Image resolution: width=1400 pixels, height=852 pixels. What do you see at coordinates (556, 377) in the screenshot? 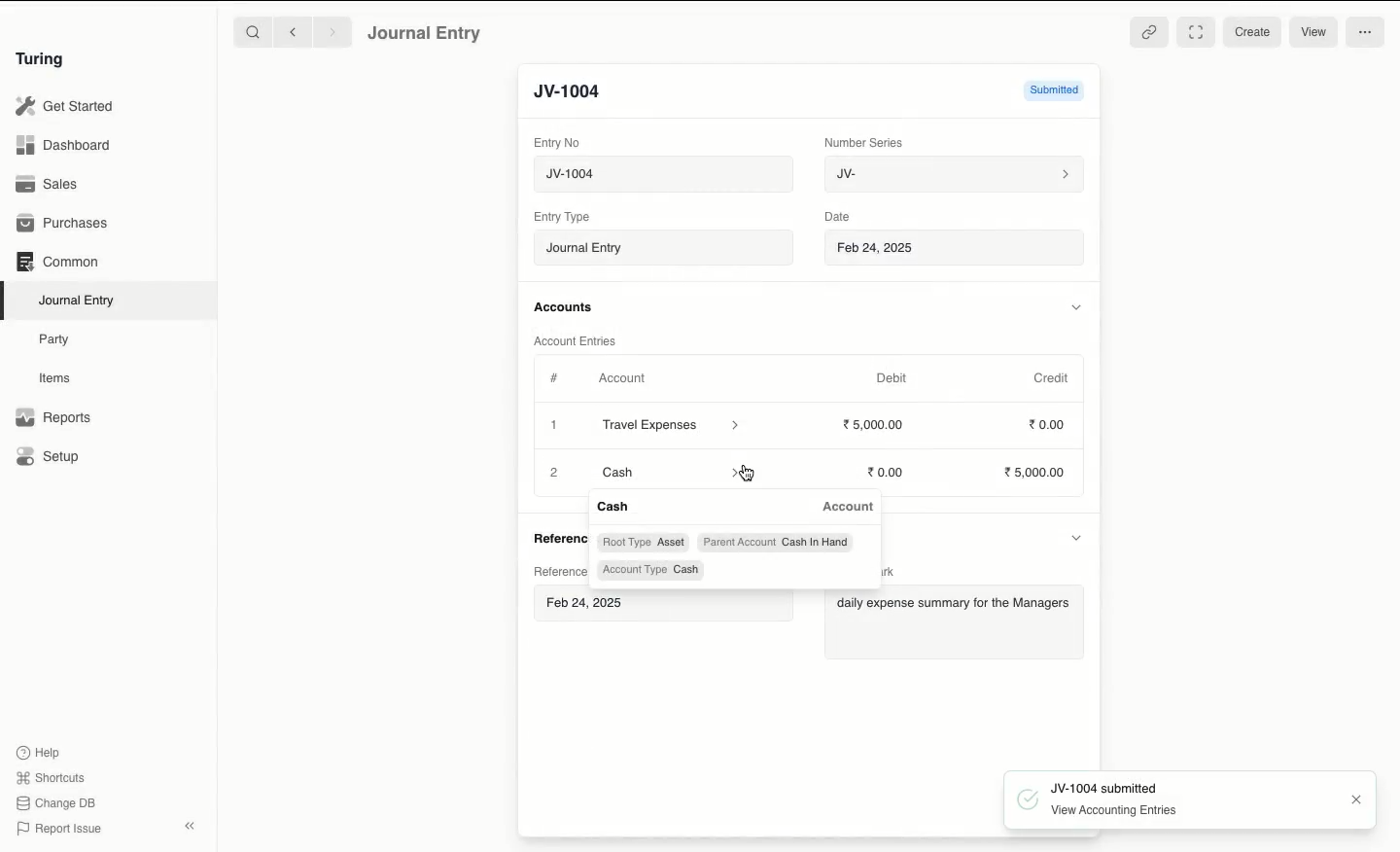
I see `Hashtag` at bounding box center [556, 377].